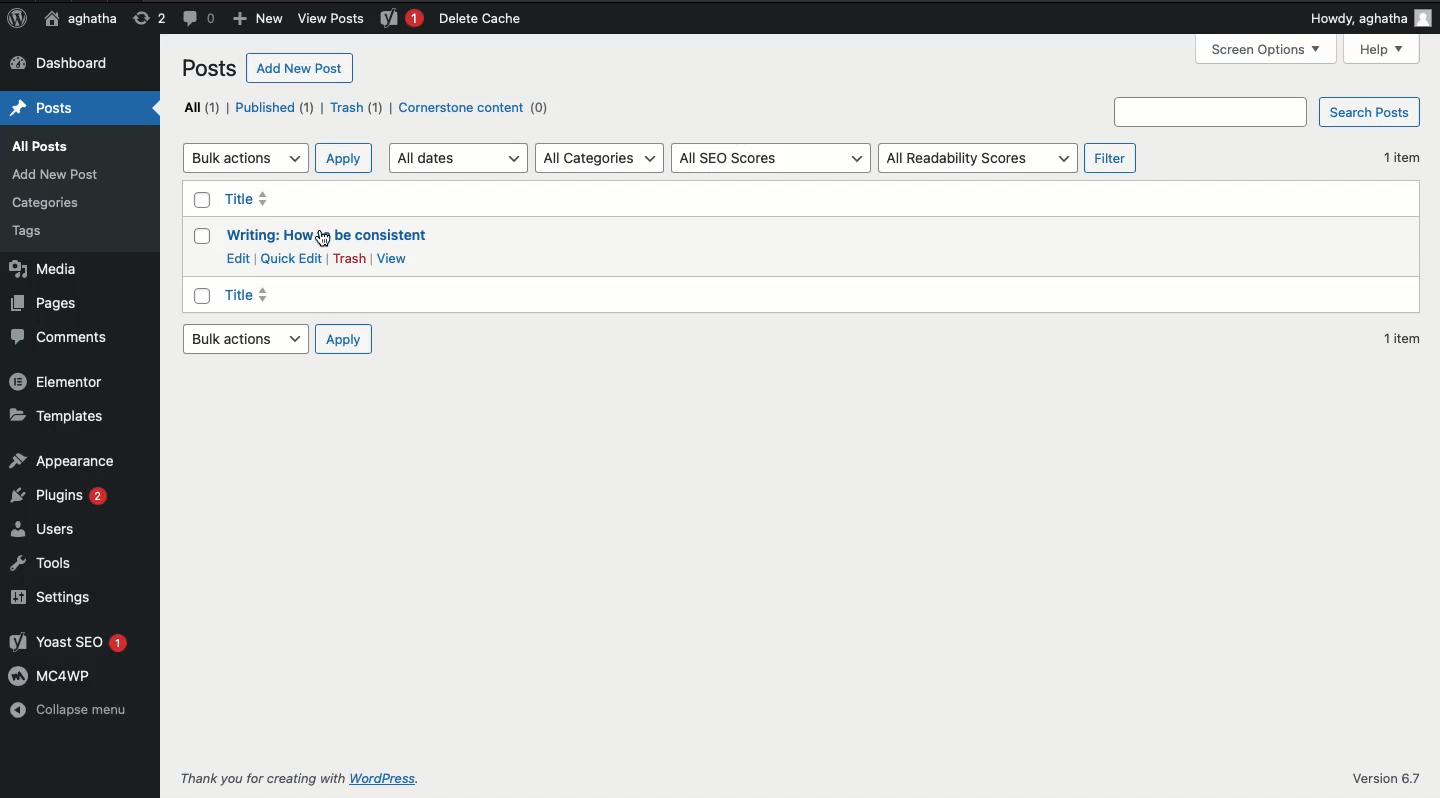  Describe the element at coordinates (767, 158) in the screenshot. I see `All SEO scores` at that location.